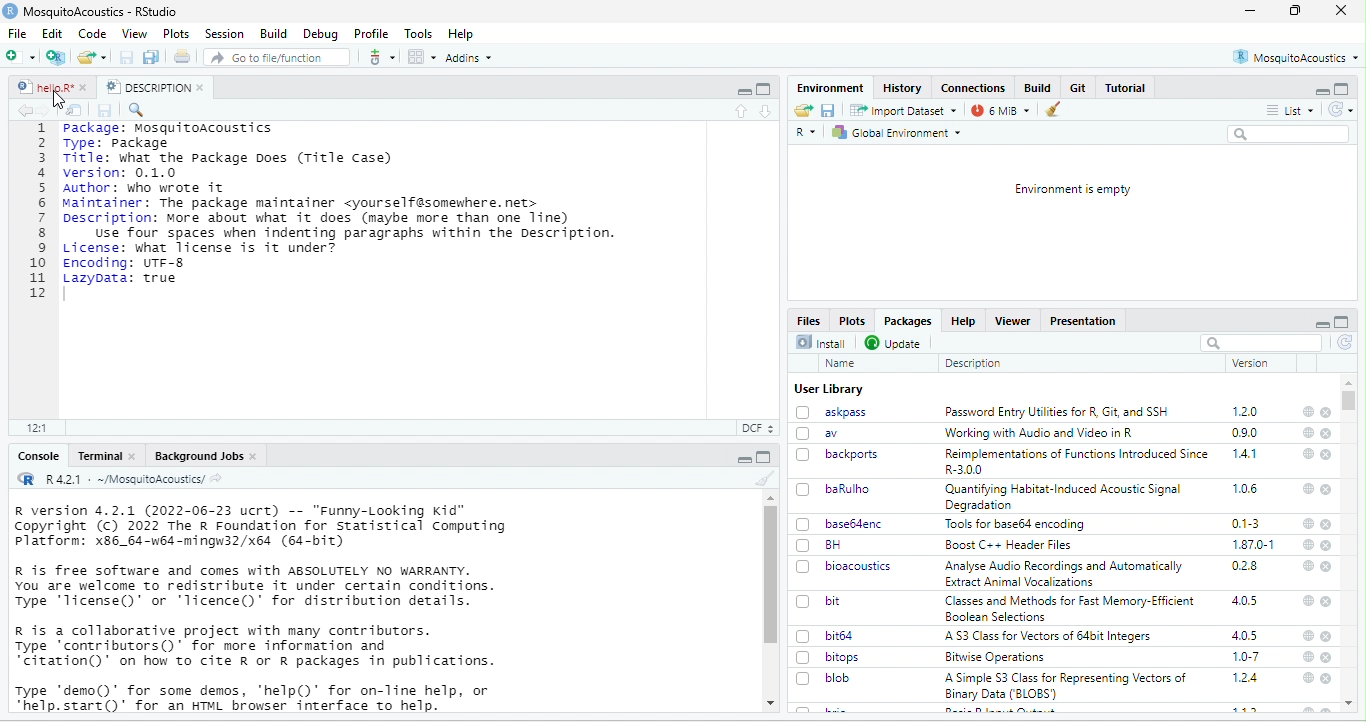  What do you see at coordinates (1340, 109) in the screenshot?
I see `Refresh` at bounding box center [1340, 109].